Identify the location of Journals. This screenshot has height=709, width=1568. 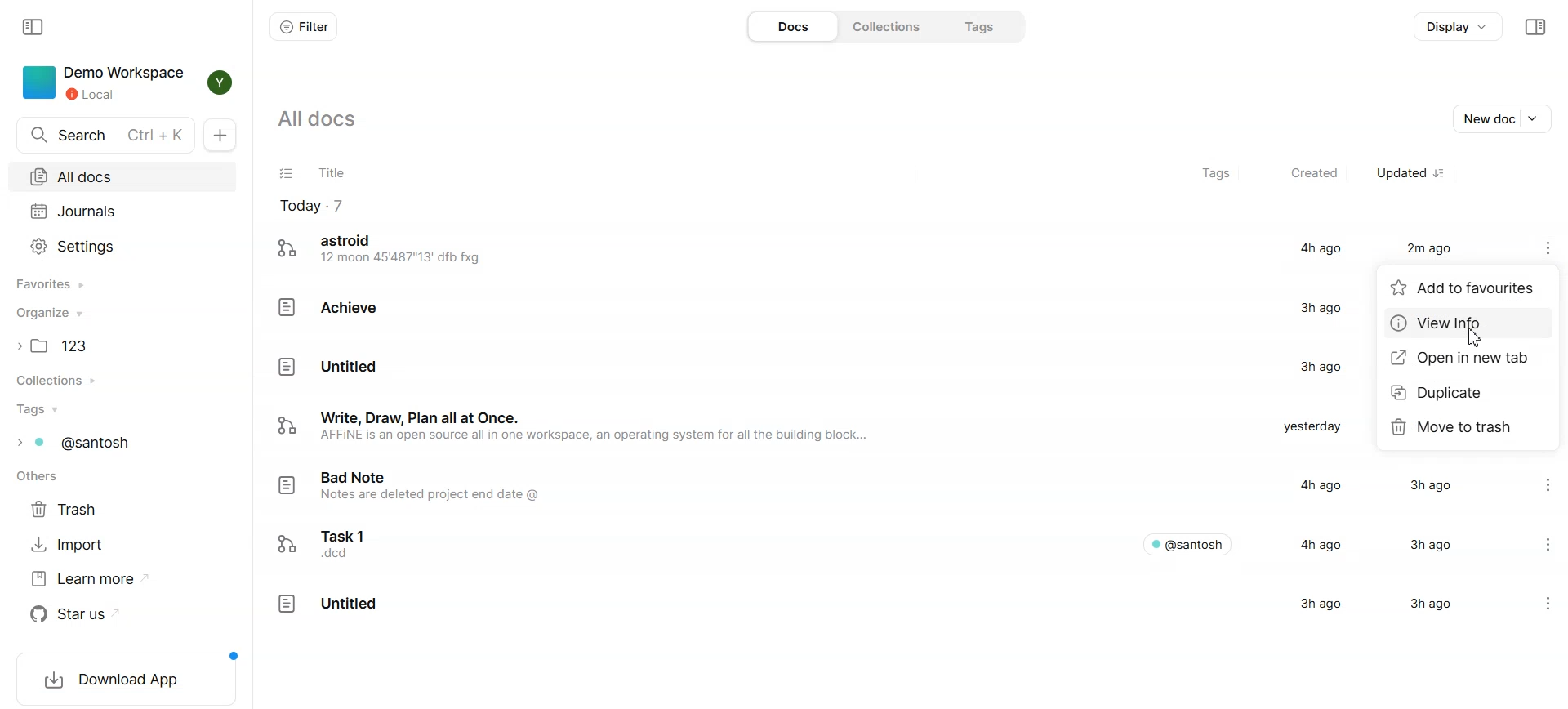
(124, 212).